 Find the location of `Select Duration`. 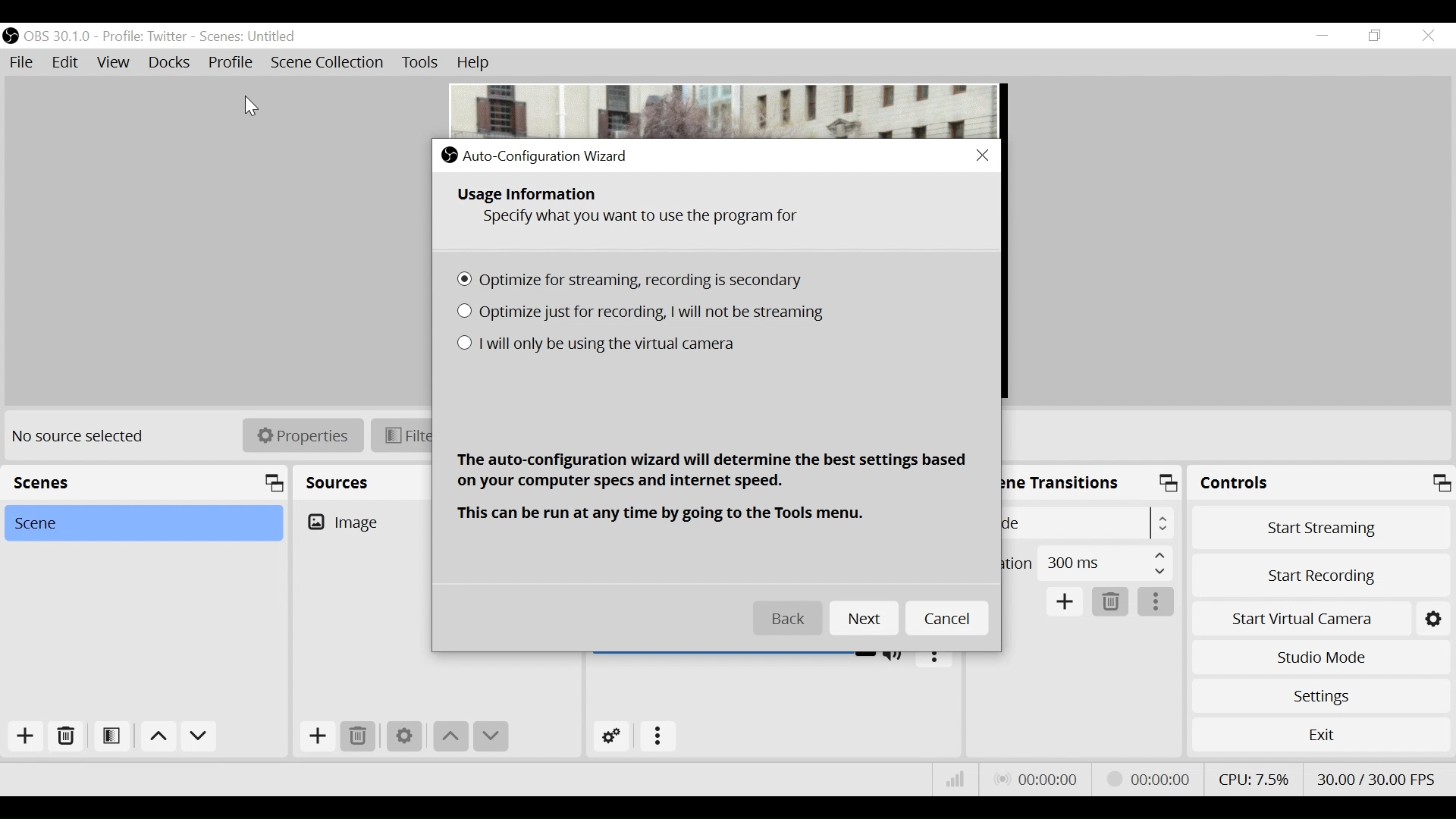

Select Duration is located at coordinates (1087, 562).